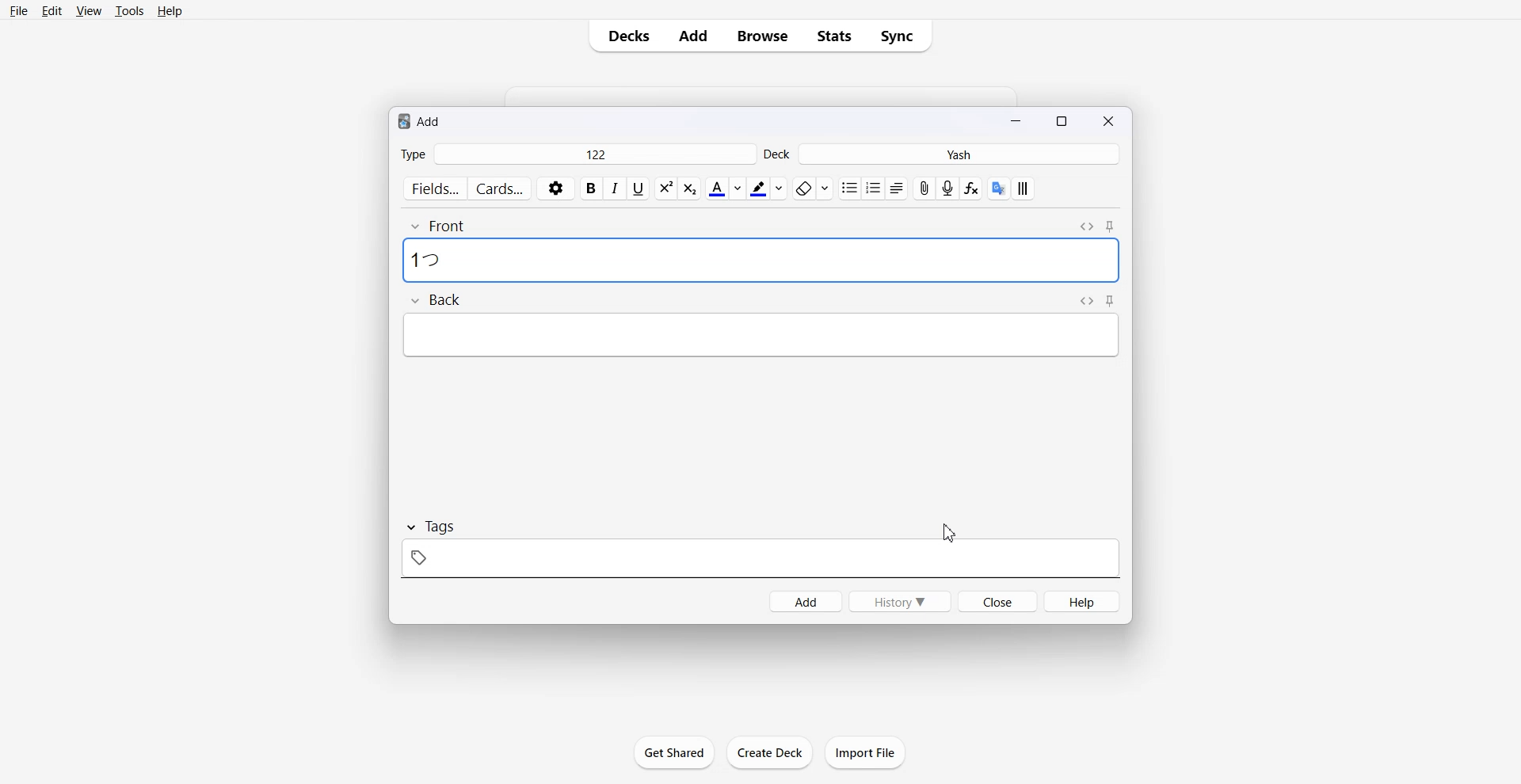 The height and width of the screenshot is (784, 1521). What do you see at coordinates (949, 188) in the screenshot?
I see `Record Audio` at bounding box center [949, 188].